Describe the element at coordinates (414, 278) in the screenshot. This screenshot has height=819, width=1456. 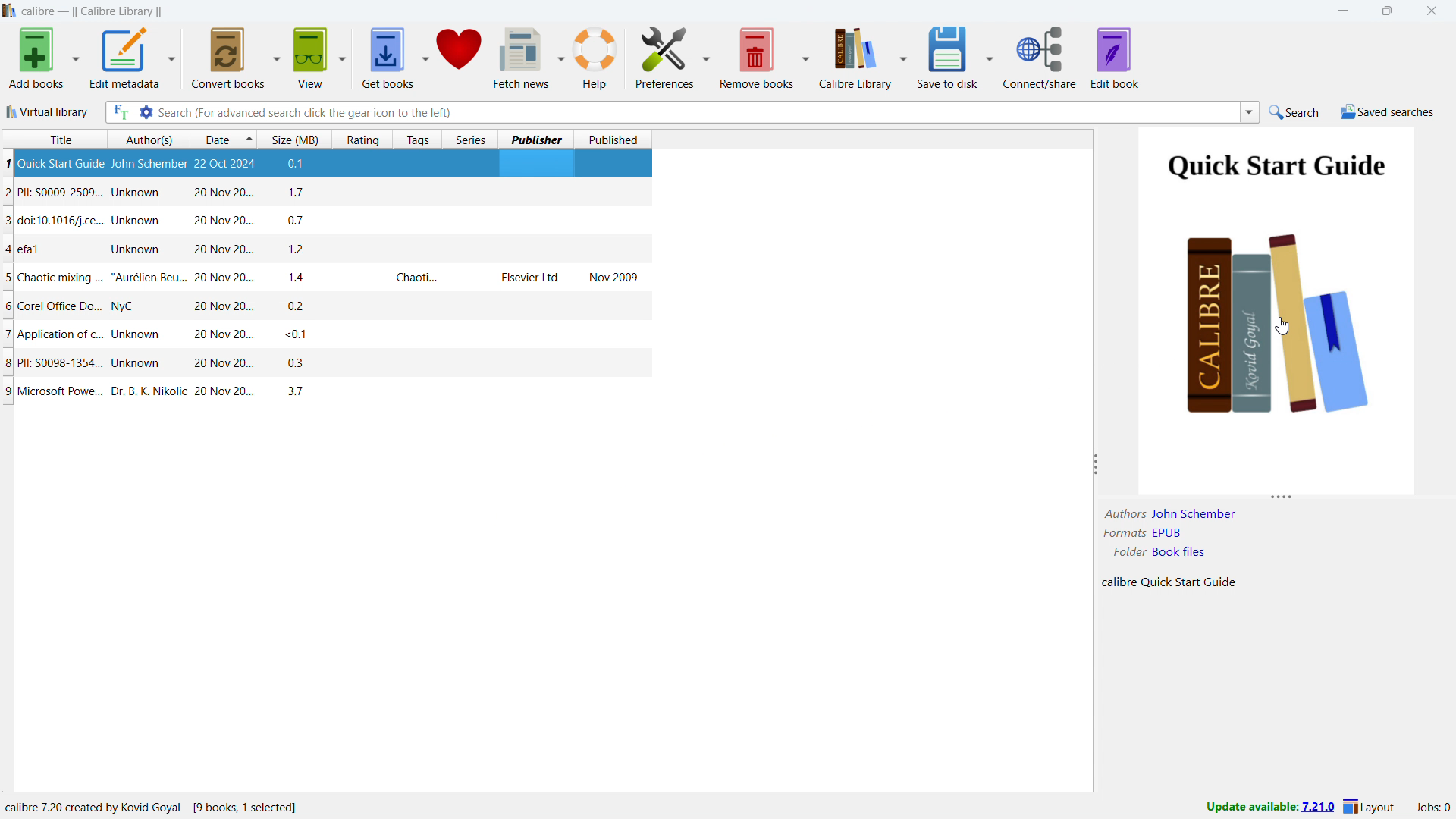
I see `Chacti` at that location.